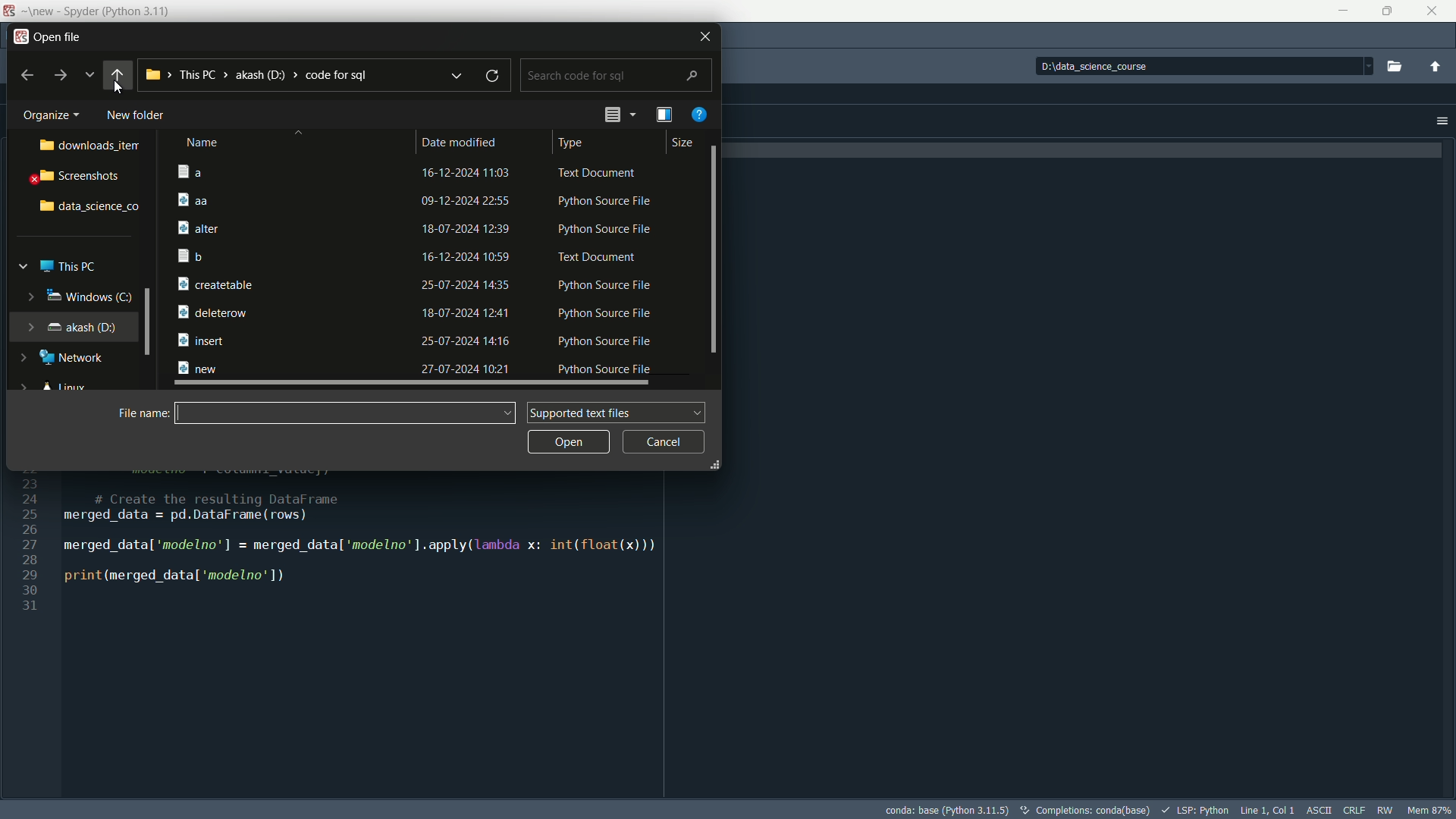 The height and width of the screenshot is (819, 1456). Describe the element at coordinates (1436, 121) in the screenshot. I see `options` at that location.